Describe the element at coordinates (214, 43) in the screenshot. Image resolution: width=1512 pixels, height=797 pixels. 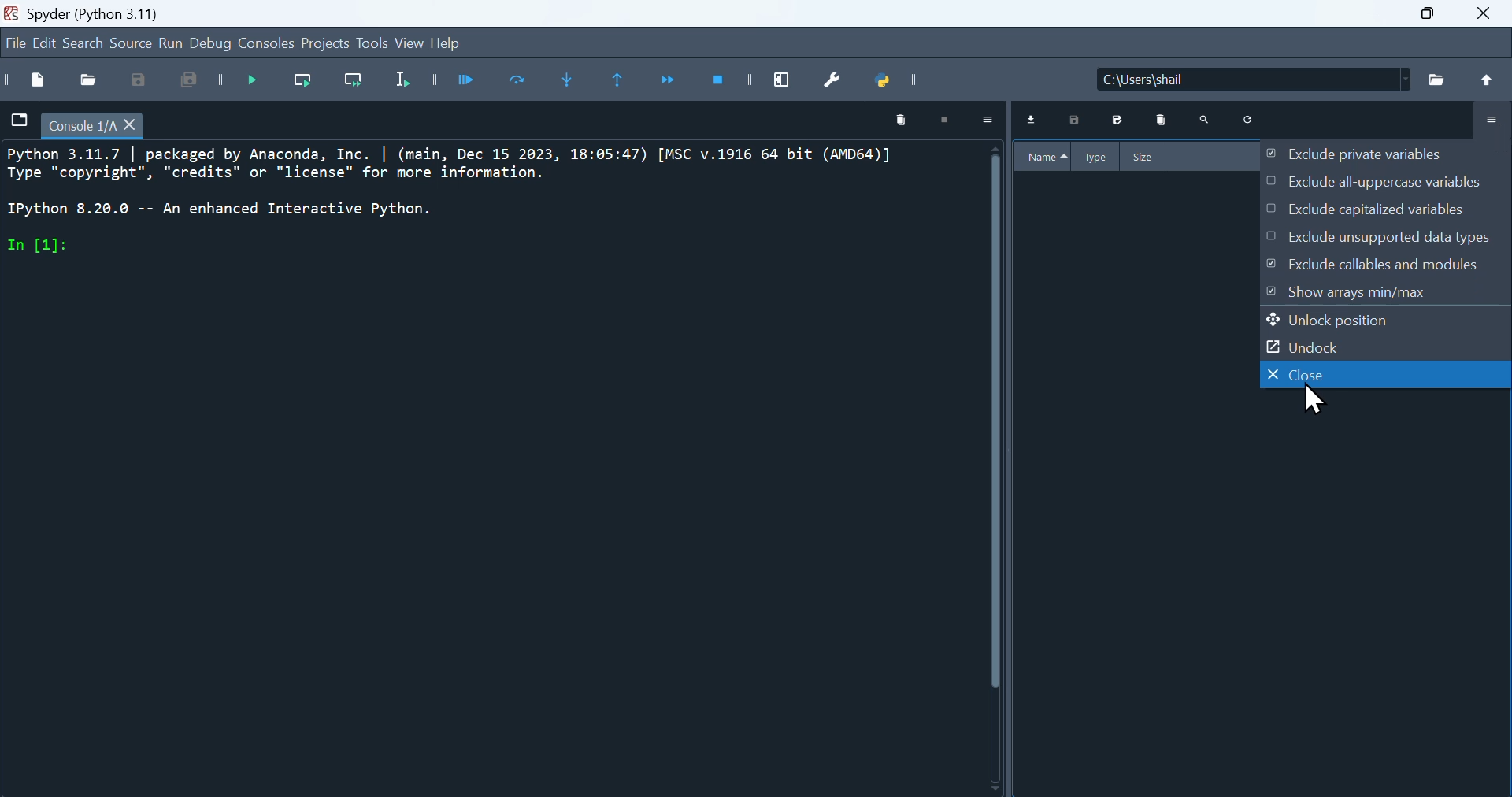
I see `Debug` at that location.